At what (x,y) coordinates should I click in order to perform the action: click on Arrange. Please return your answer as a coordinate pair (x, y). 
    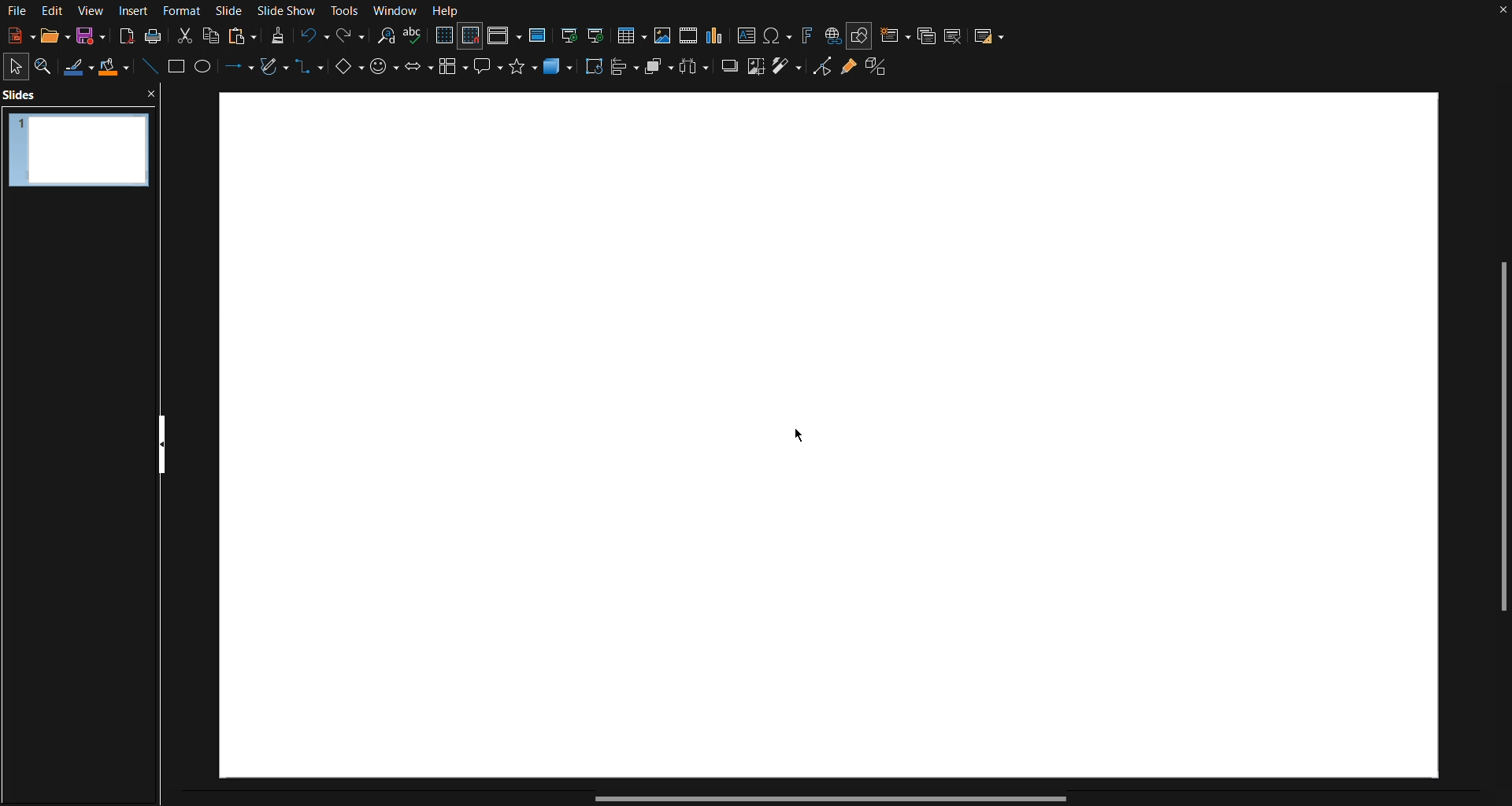
    Looking at the image, I should click on (659, 70).